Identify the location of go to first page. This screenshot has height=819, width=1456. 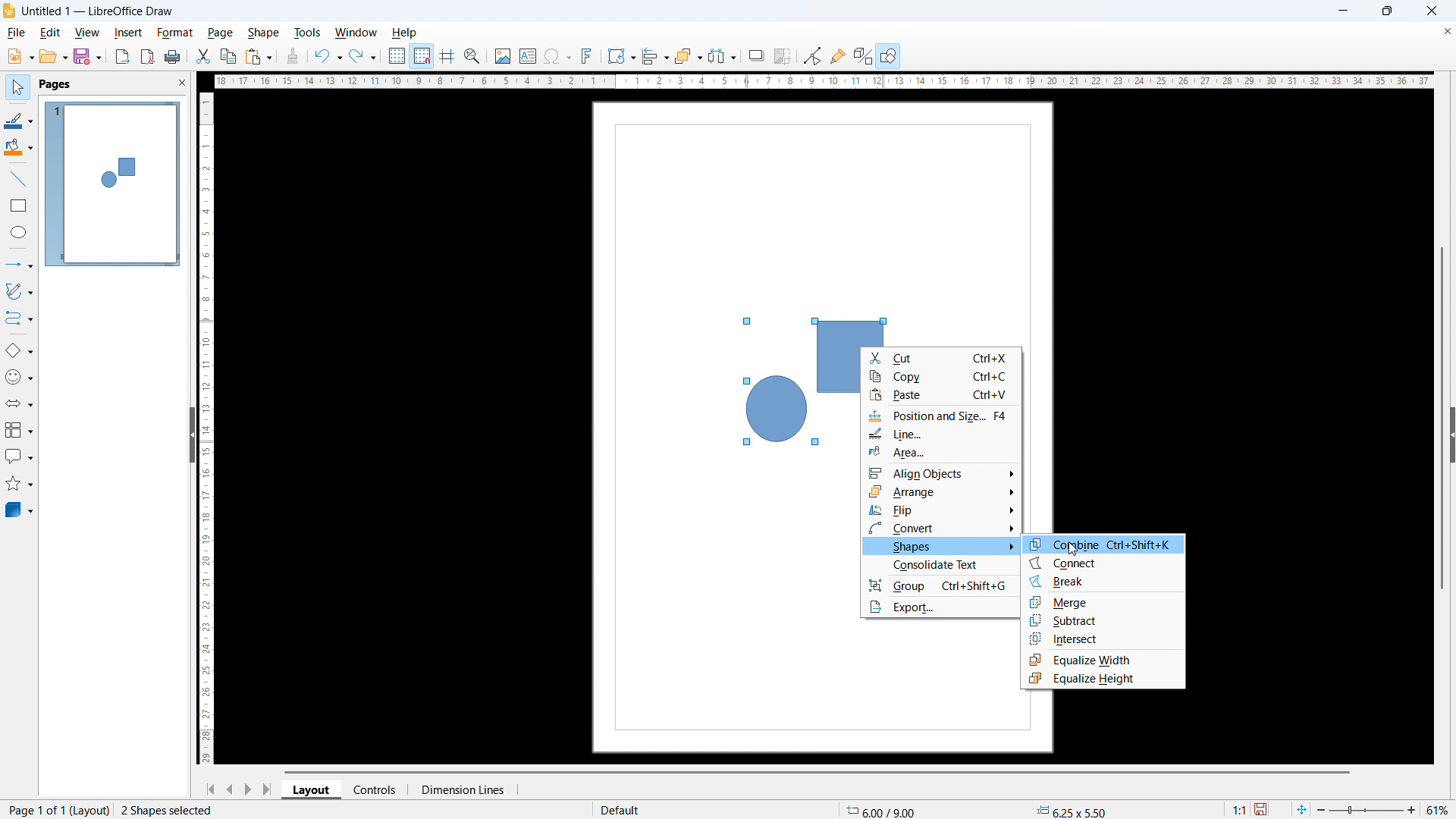
(211, 789).